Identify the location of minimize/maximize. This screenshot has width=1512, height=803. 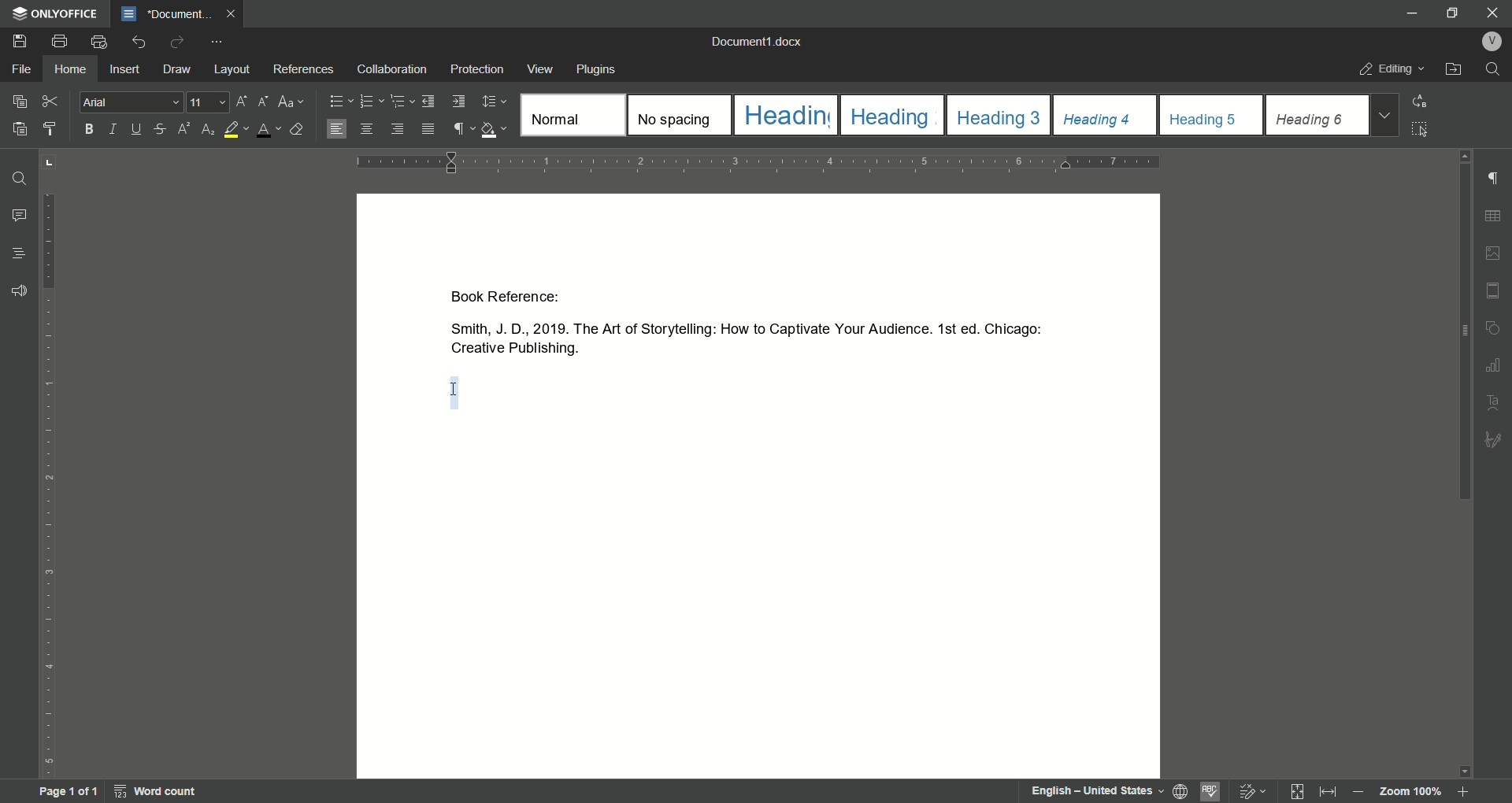
(1450, 15).